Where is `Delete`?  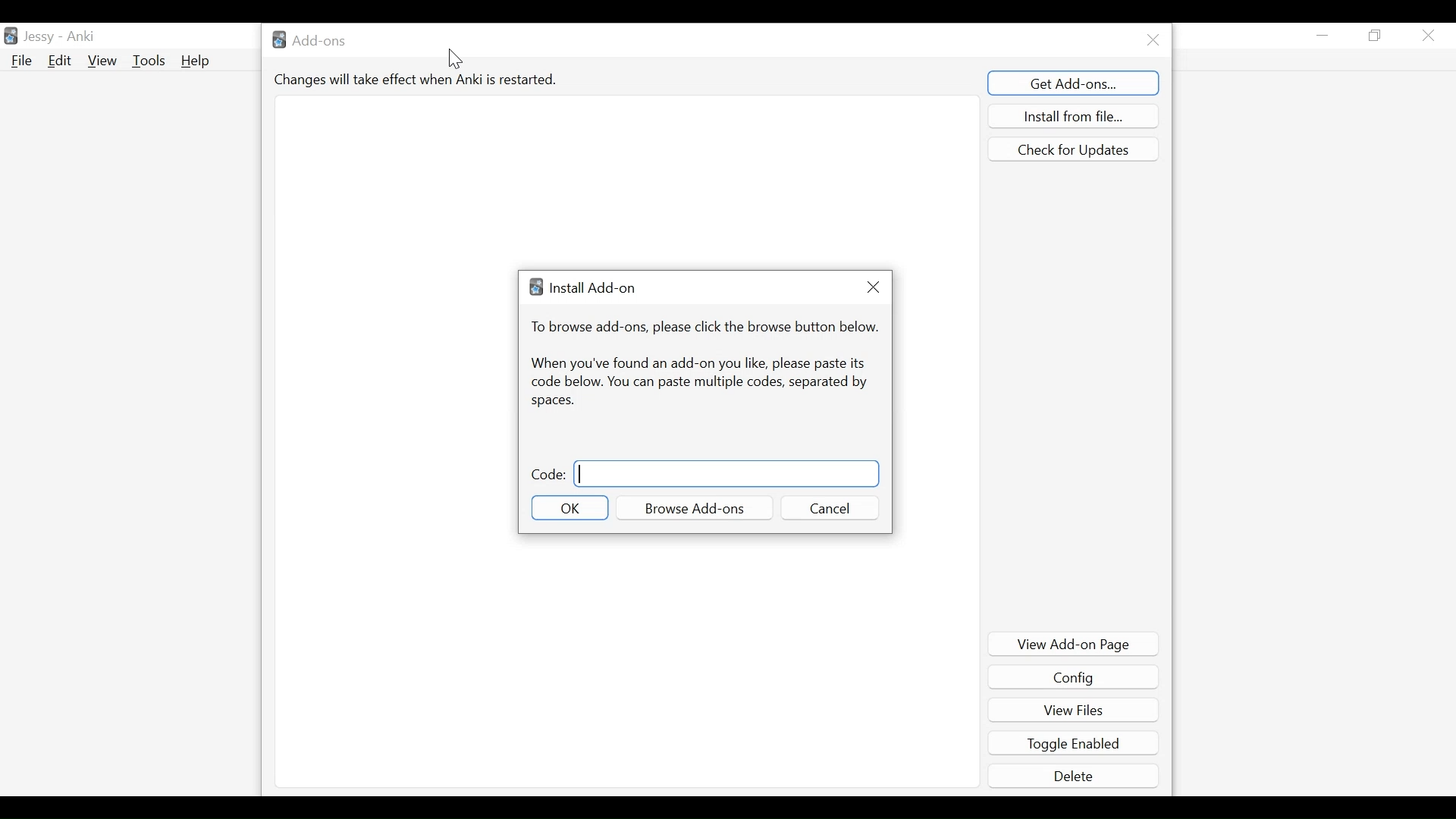 Delete is located at coordinates (1075, 775).